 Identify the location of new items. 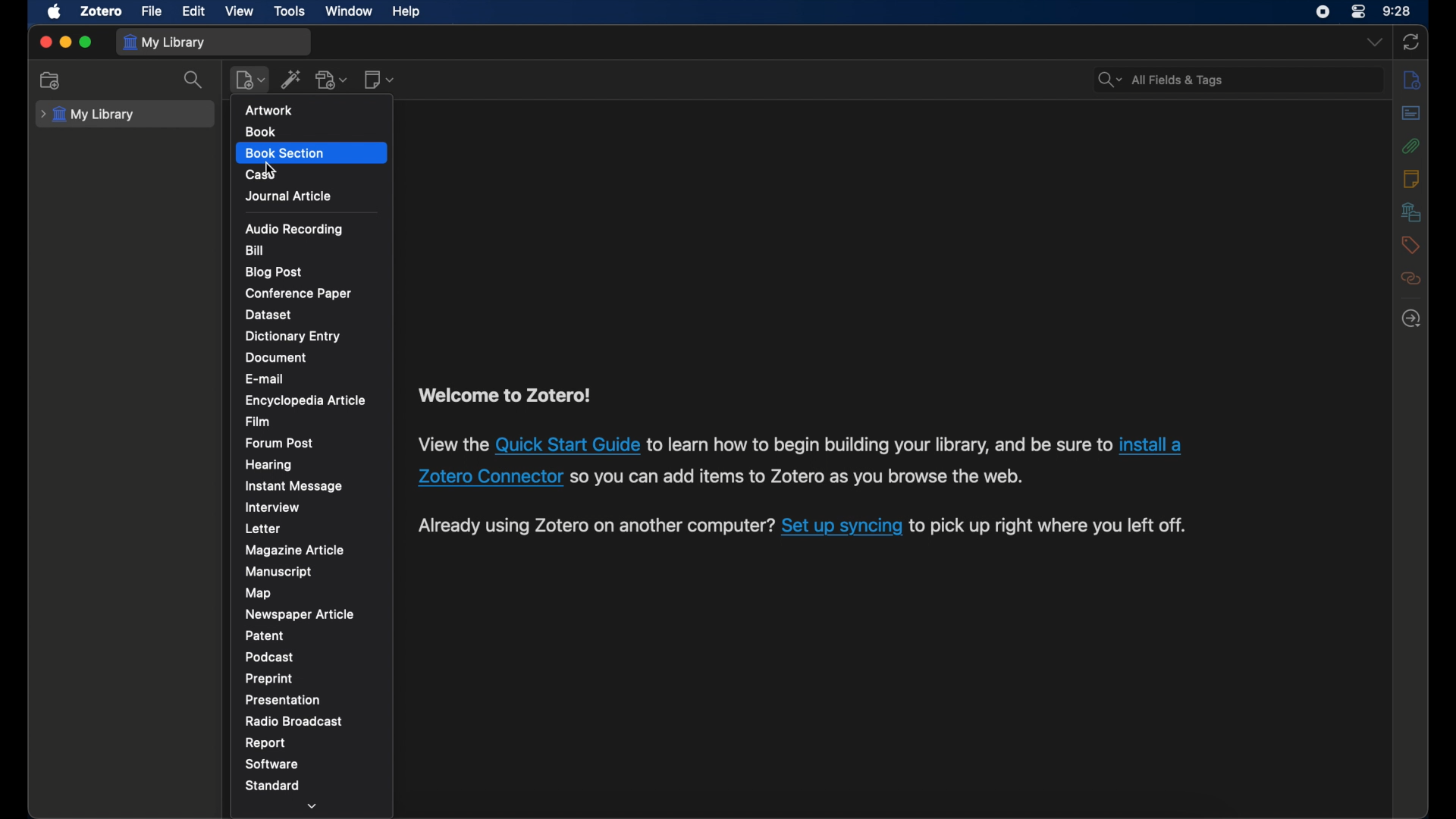
(250, 80).